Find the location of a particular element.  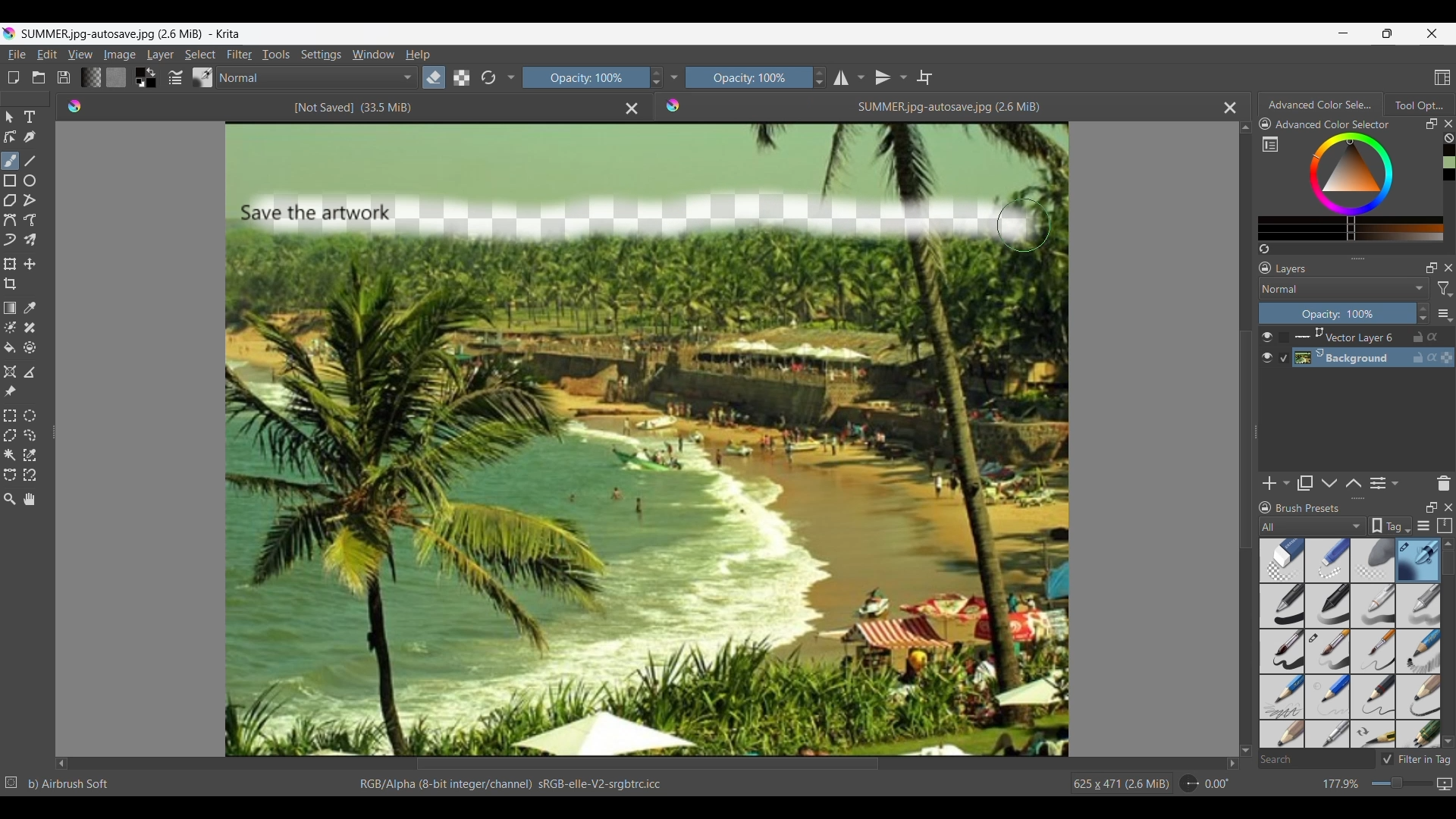

Quick slide to top is located at coordinates (1246, 128).